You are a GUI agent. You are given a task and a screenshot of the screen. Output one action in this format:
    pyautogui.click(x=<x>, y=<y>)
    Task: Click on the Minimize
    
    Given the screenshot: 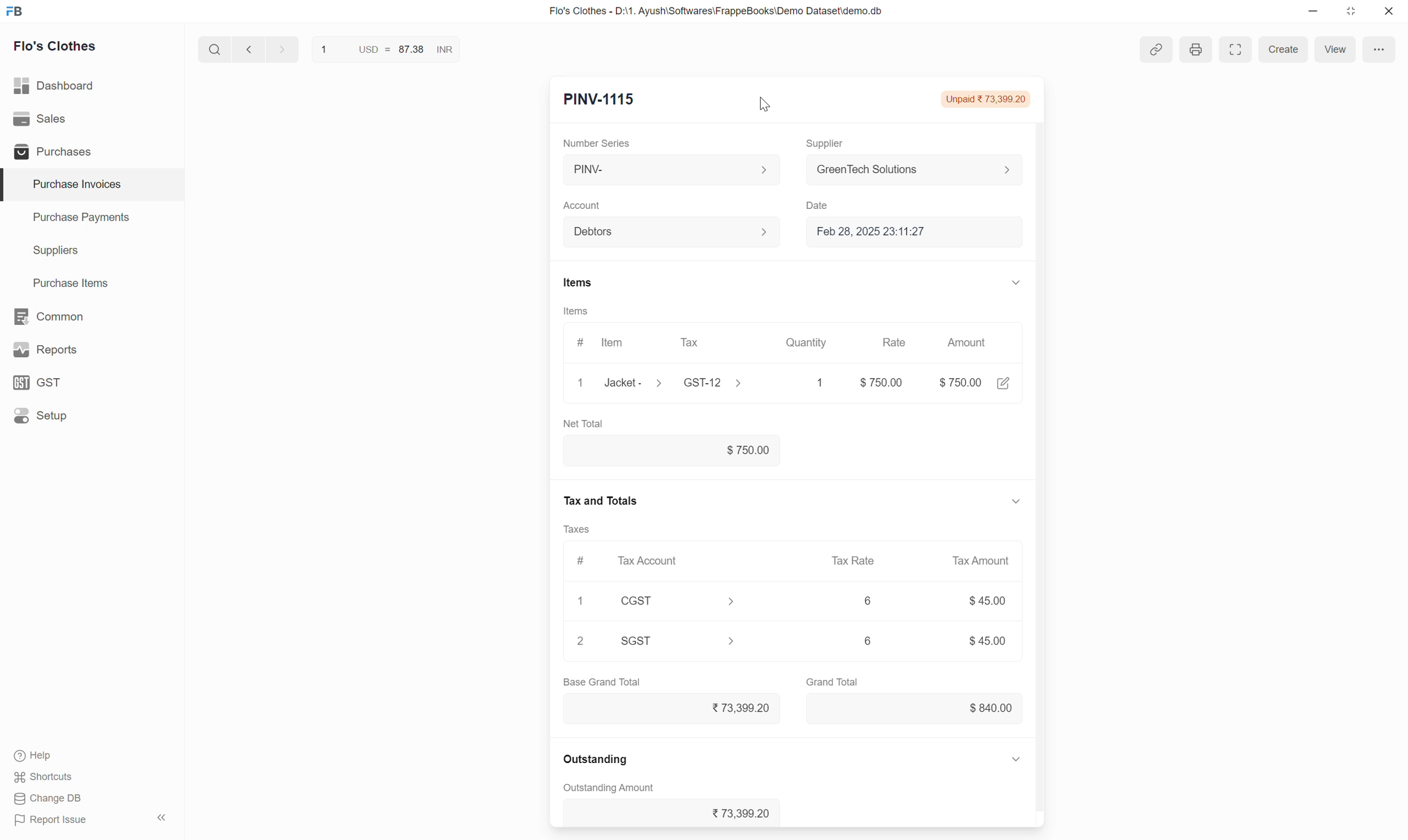 What is the action you would take?
    pyautogui.click(x=1313, y=11)
    